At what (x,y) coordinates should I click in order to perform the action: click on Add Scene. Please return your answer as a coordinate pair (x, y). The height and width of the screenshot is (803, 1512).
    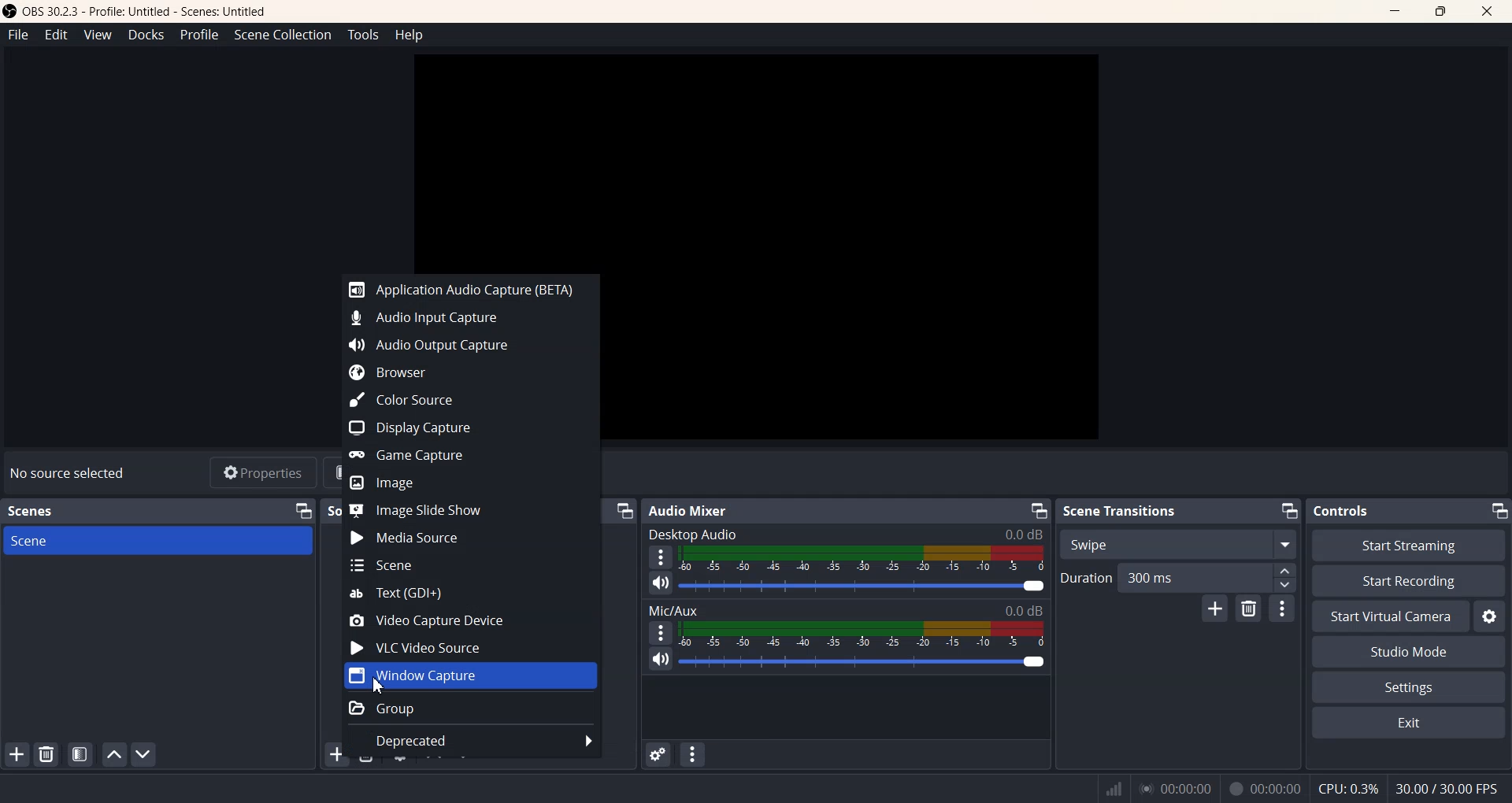
    Looking at the image, I should click on (16, 754).